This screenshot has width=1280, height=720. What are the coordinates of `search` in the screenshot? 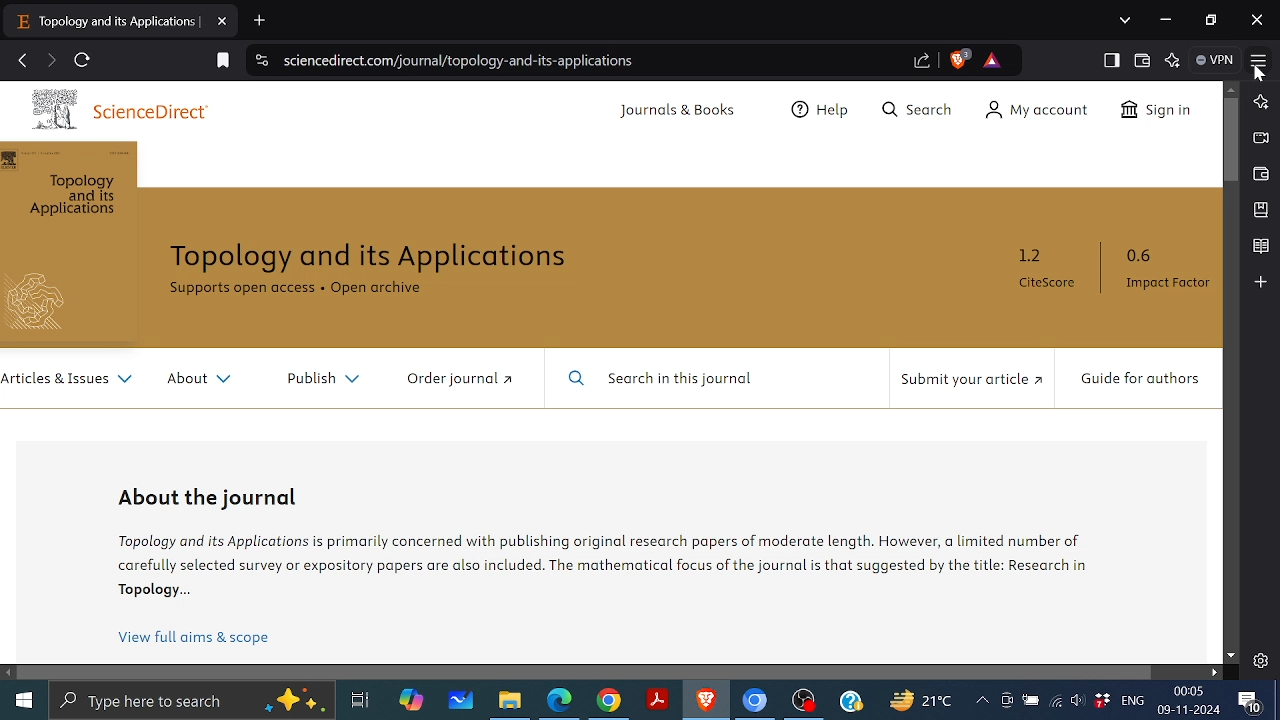 It's located at (915, 110).